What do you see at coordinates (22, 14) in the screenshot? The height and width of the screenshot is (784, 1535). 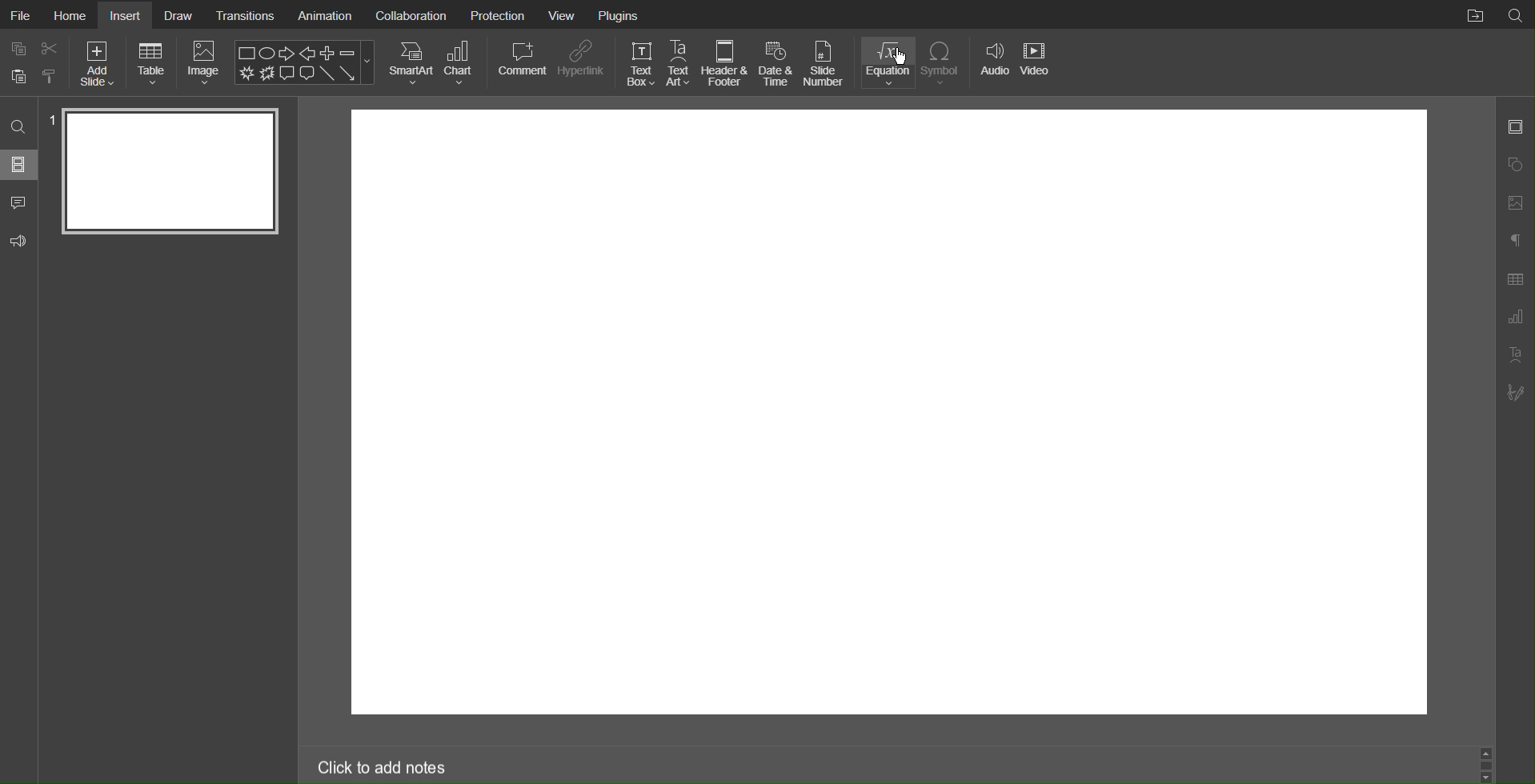 I see `File` at bounding box center [22, 14].